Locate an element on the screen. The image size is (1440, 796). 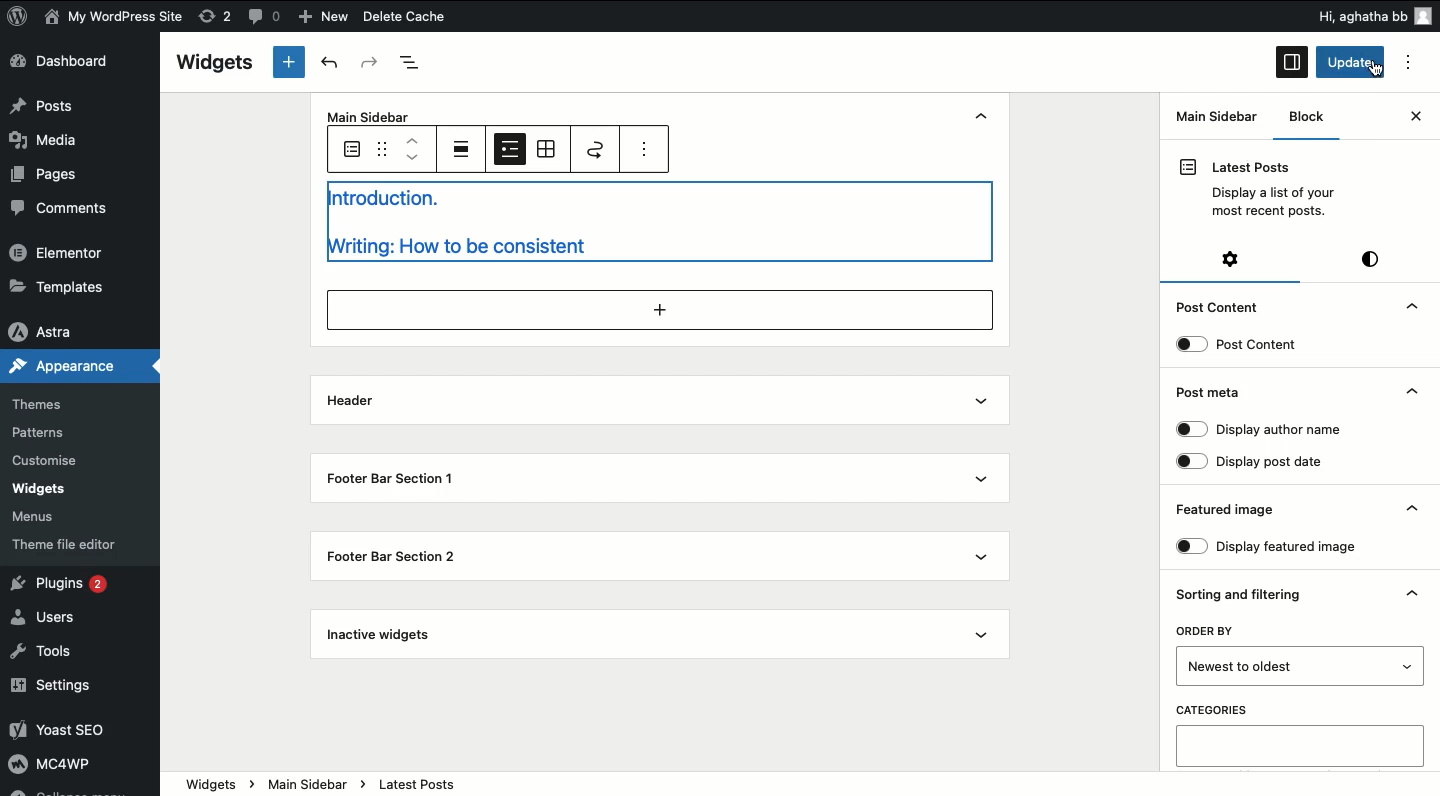
Document overview is located at coordinates (419, 67).